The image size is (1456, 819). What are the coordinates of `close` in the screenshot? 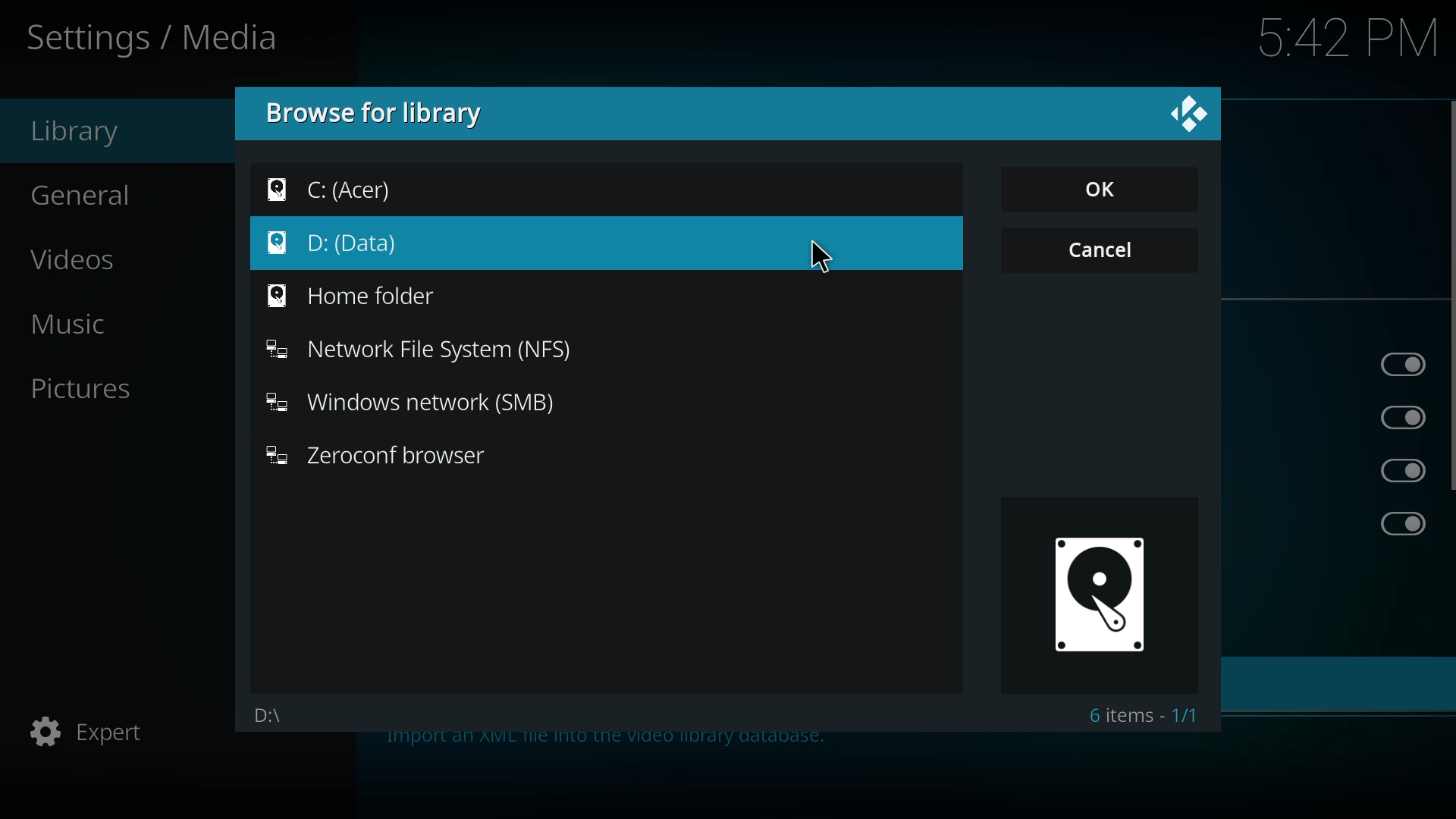 It's located at (1188, 114).